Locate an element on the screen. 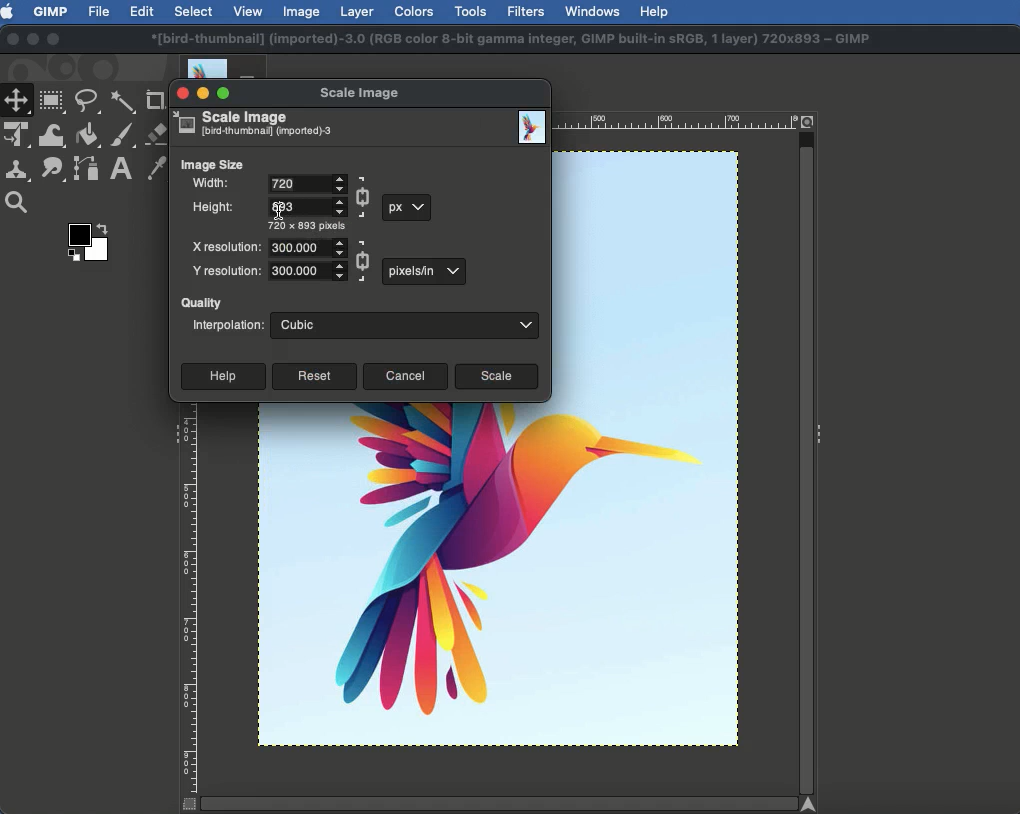  Fill color is located at coordinates (89, 136).